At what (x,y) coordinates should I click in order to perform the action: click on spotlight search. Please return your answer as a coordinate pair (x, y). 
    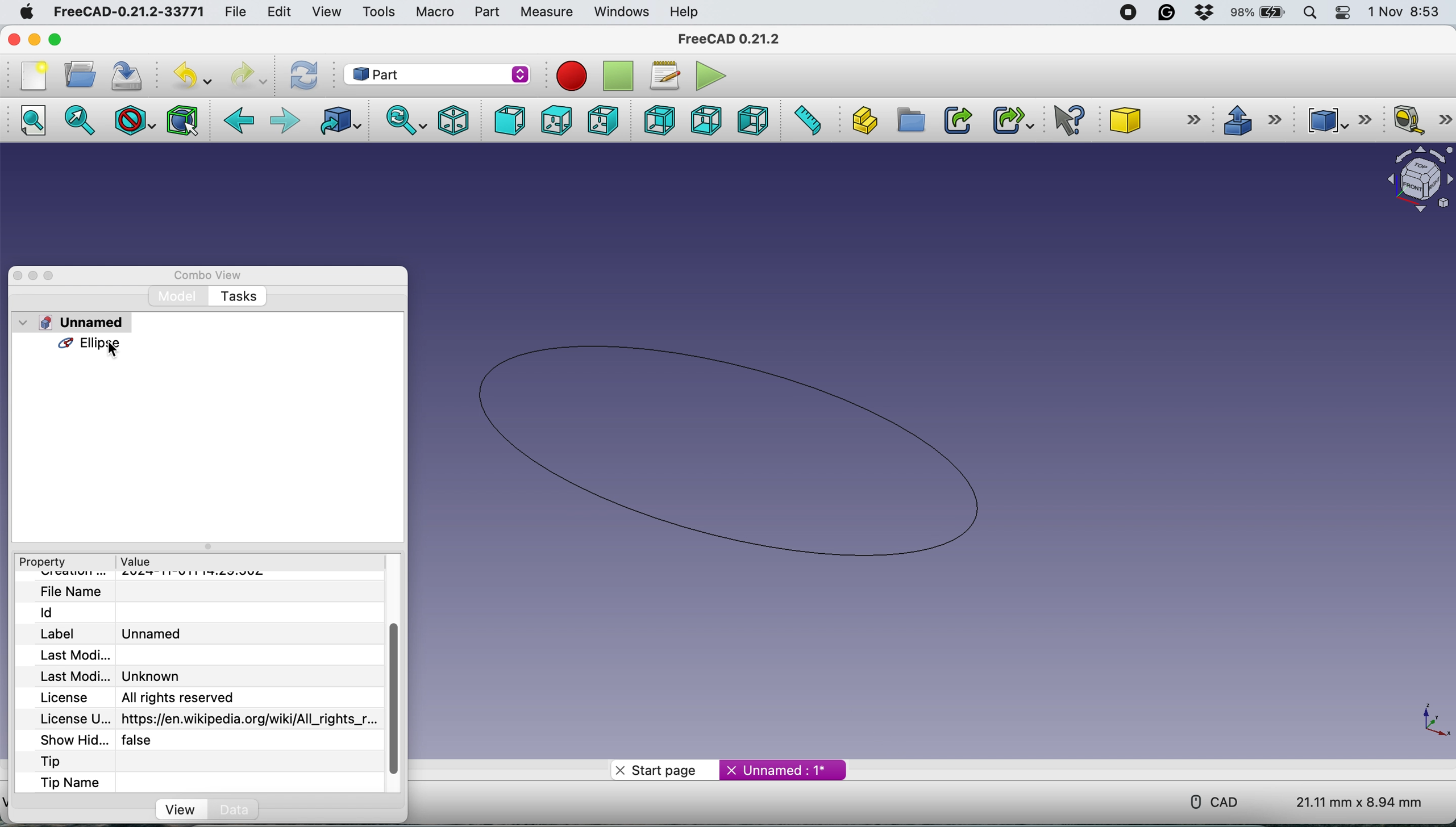
    Looking at the image, I should click on (1311, 14).